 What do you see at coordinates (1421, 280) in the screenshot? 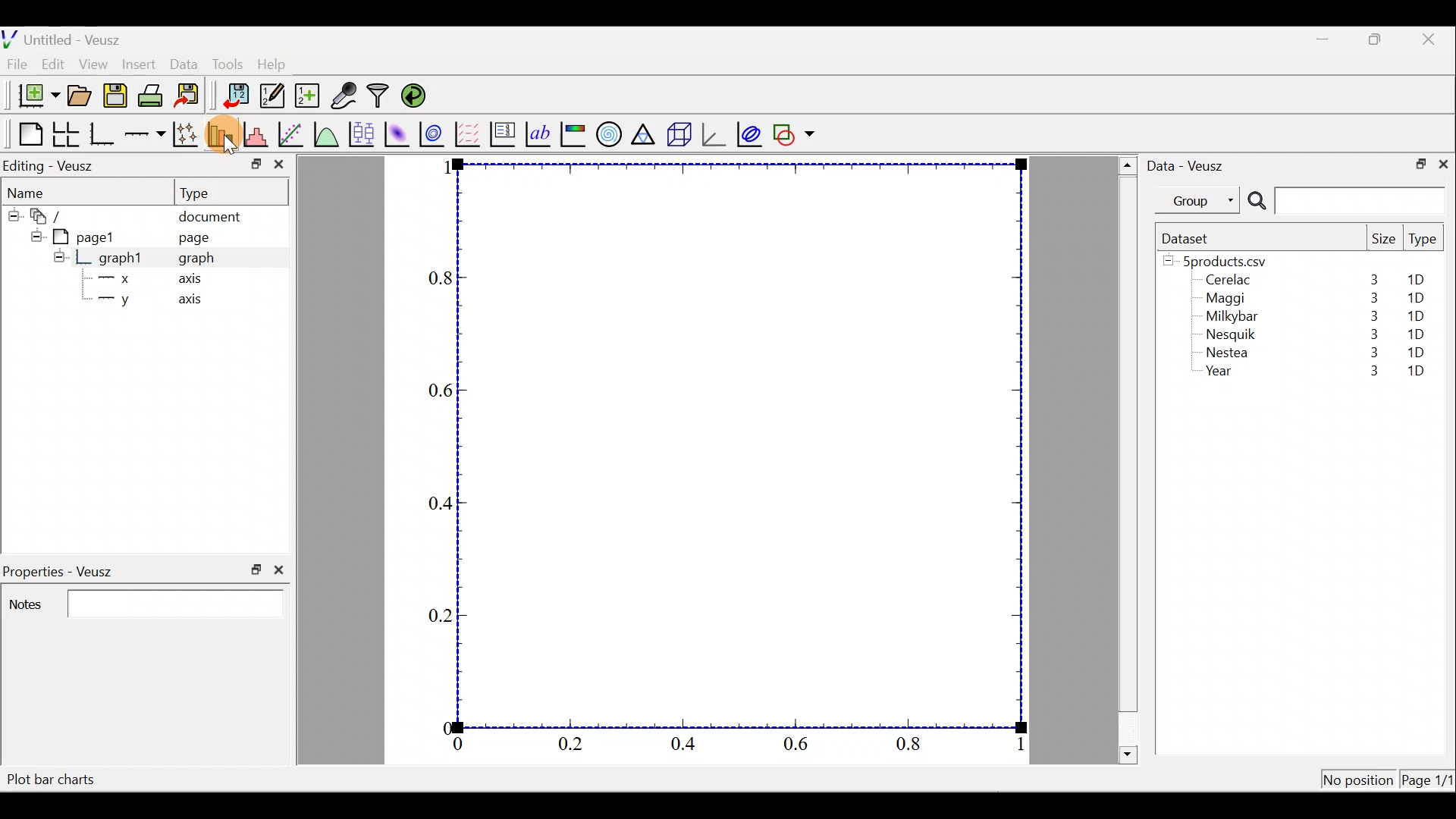
I see `1D` at bounding box center [1421, 280].